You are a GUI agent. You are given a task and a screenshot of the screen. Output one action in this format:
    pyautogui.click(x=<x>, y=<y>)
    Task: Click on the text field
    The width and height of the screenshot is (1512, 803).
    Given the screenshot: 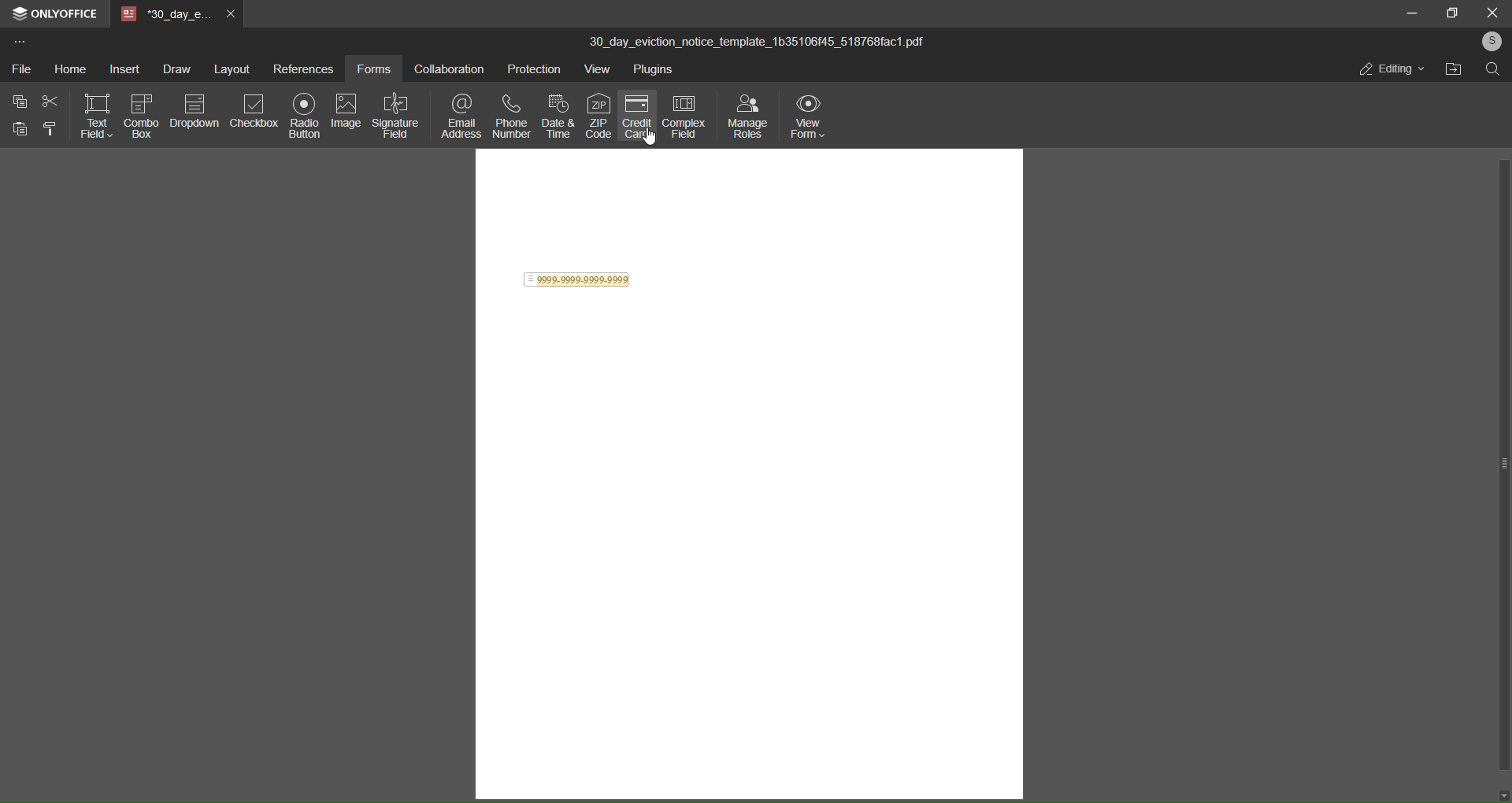 What is the action you would take?
    pyautogui.click(x=98, y=117)
    